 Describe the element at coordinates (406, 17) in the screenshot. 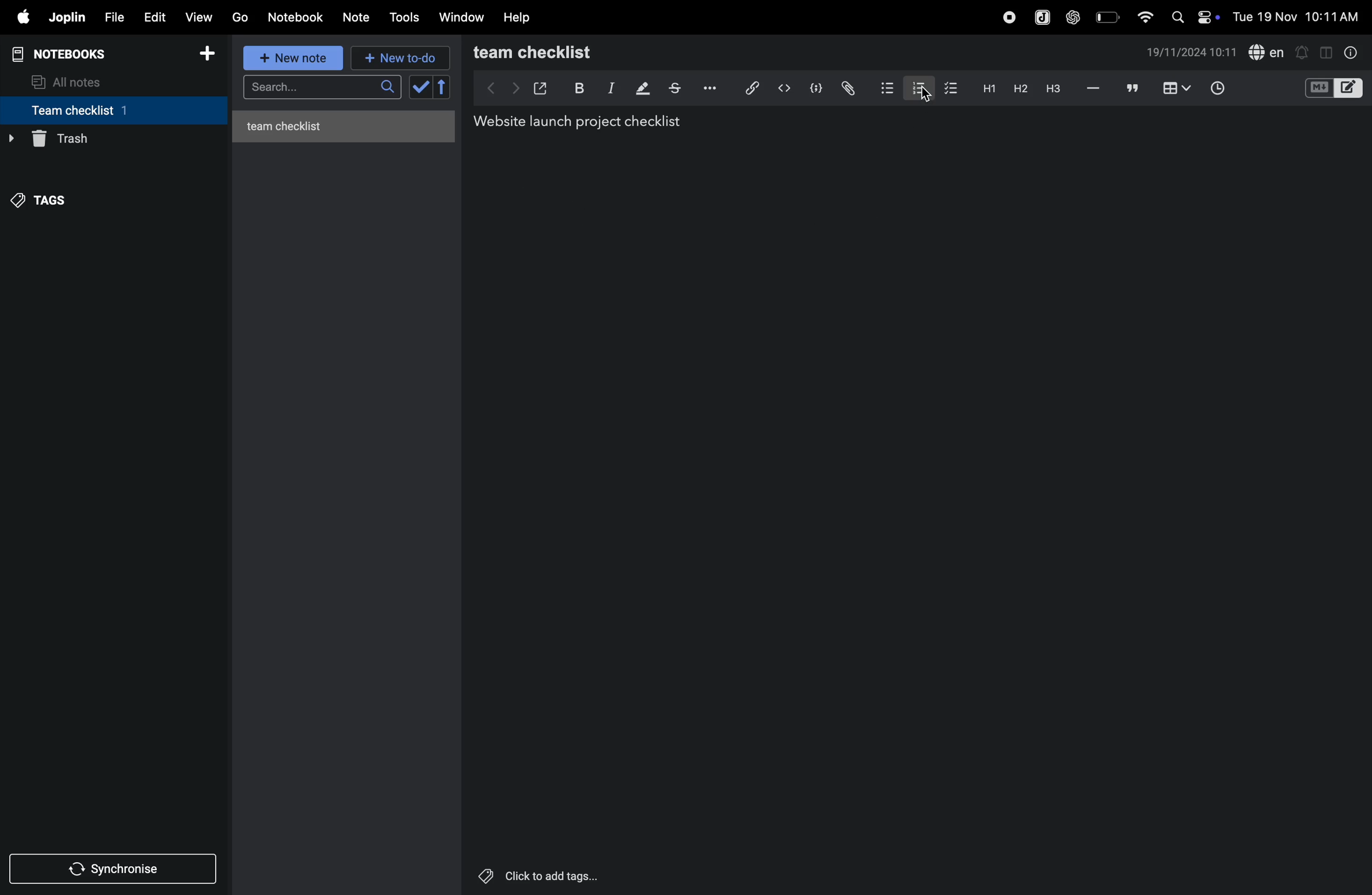

I see `tools` at that location.